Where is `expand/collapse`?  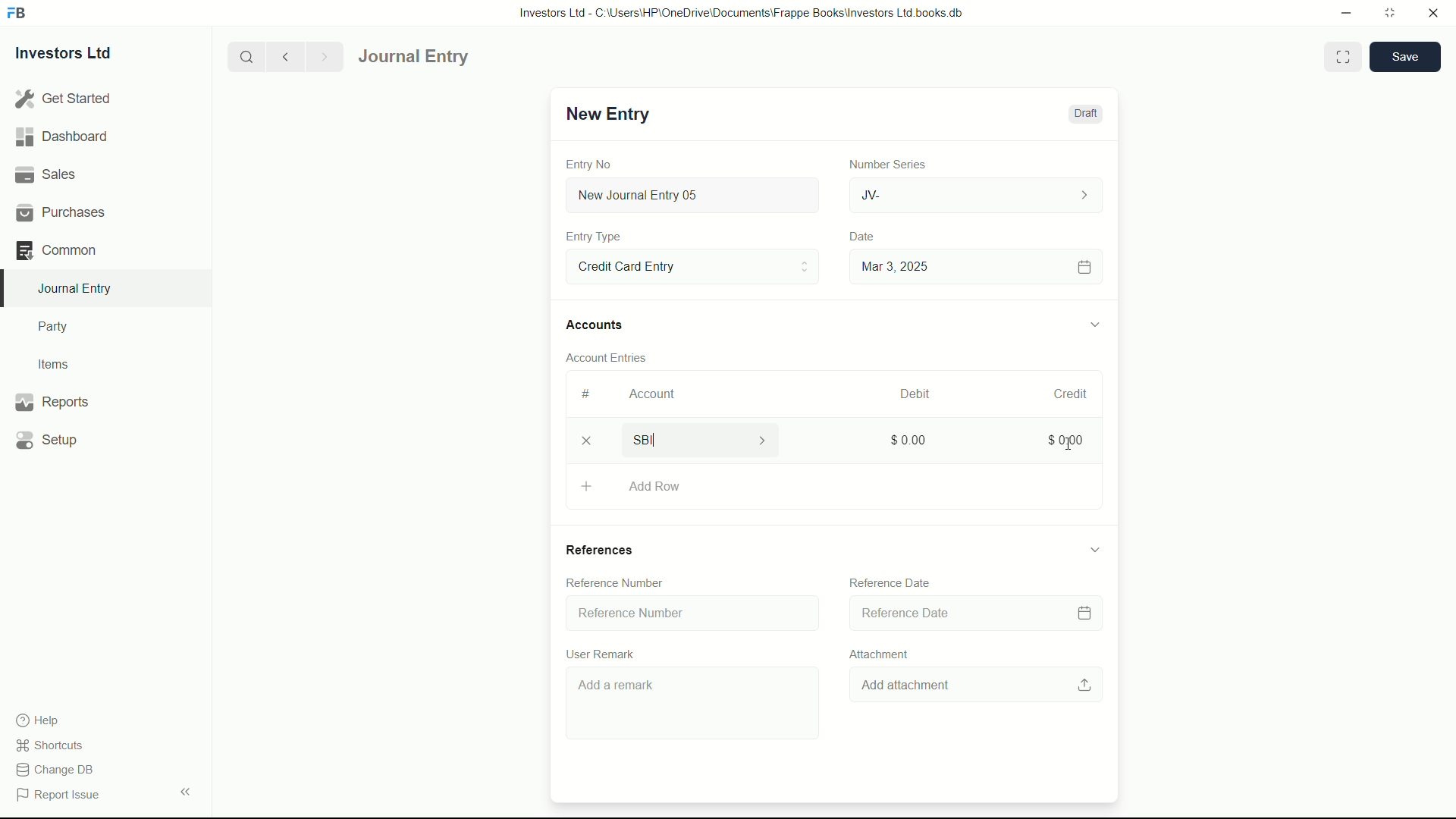
expand/collapse is located at coordinates (1094, 322).